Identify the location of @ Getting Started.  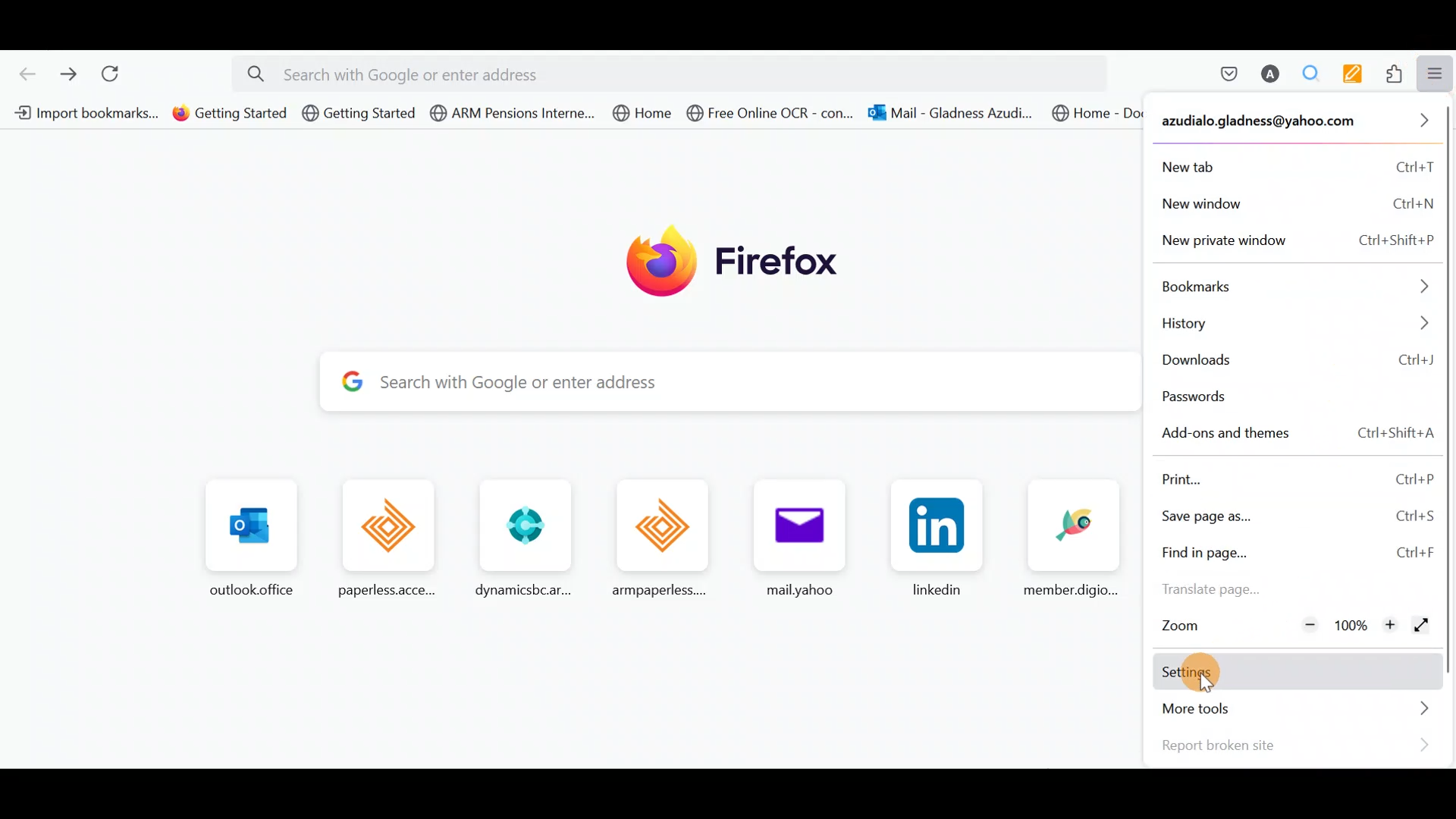
(231, 113).